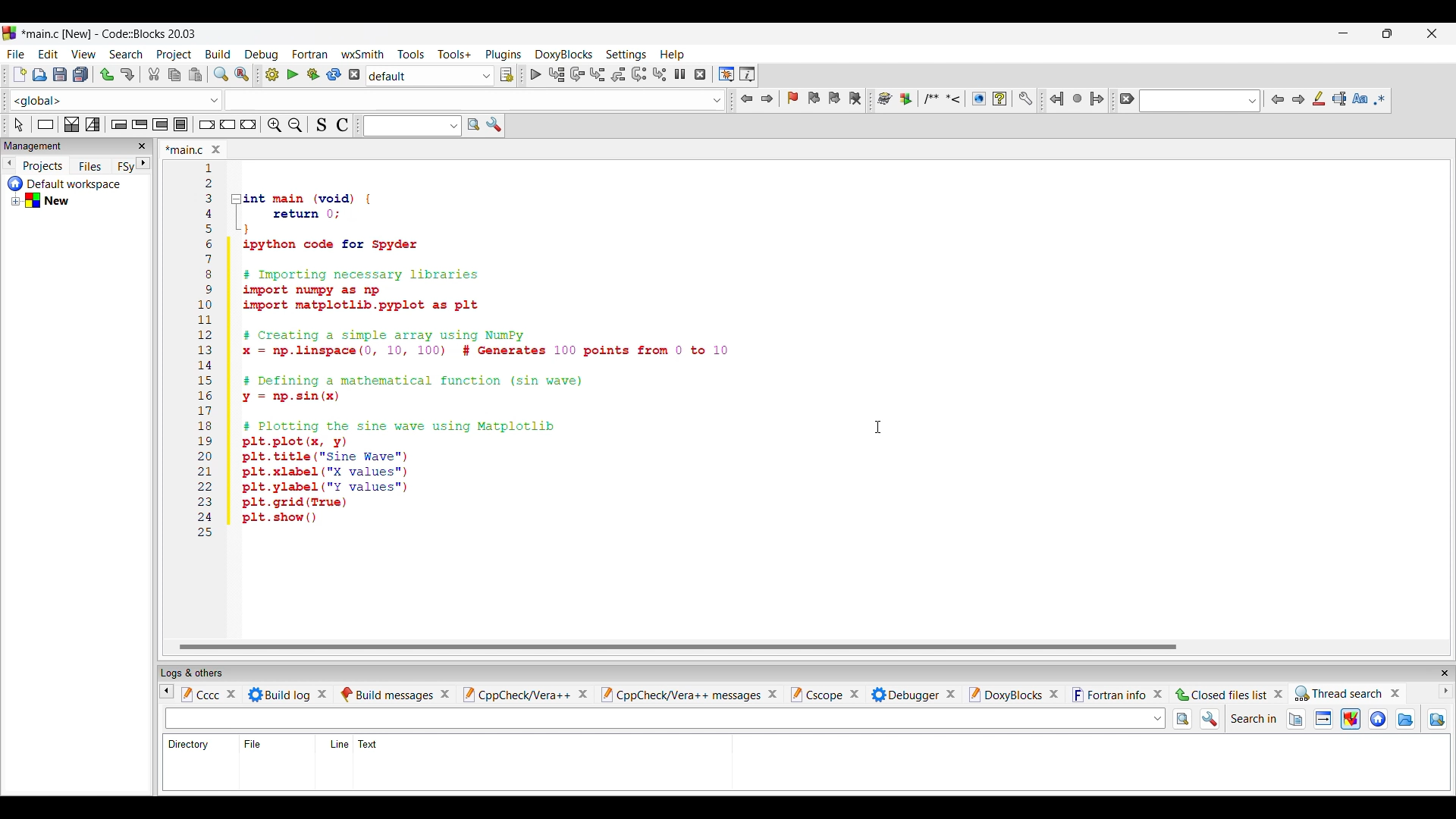  What do you see at coordinates (1274, 95) in the screenshot?
I see `Previous` at bounding box center [1274, 95].